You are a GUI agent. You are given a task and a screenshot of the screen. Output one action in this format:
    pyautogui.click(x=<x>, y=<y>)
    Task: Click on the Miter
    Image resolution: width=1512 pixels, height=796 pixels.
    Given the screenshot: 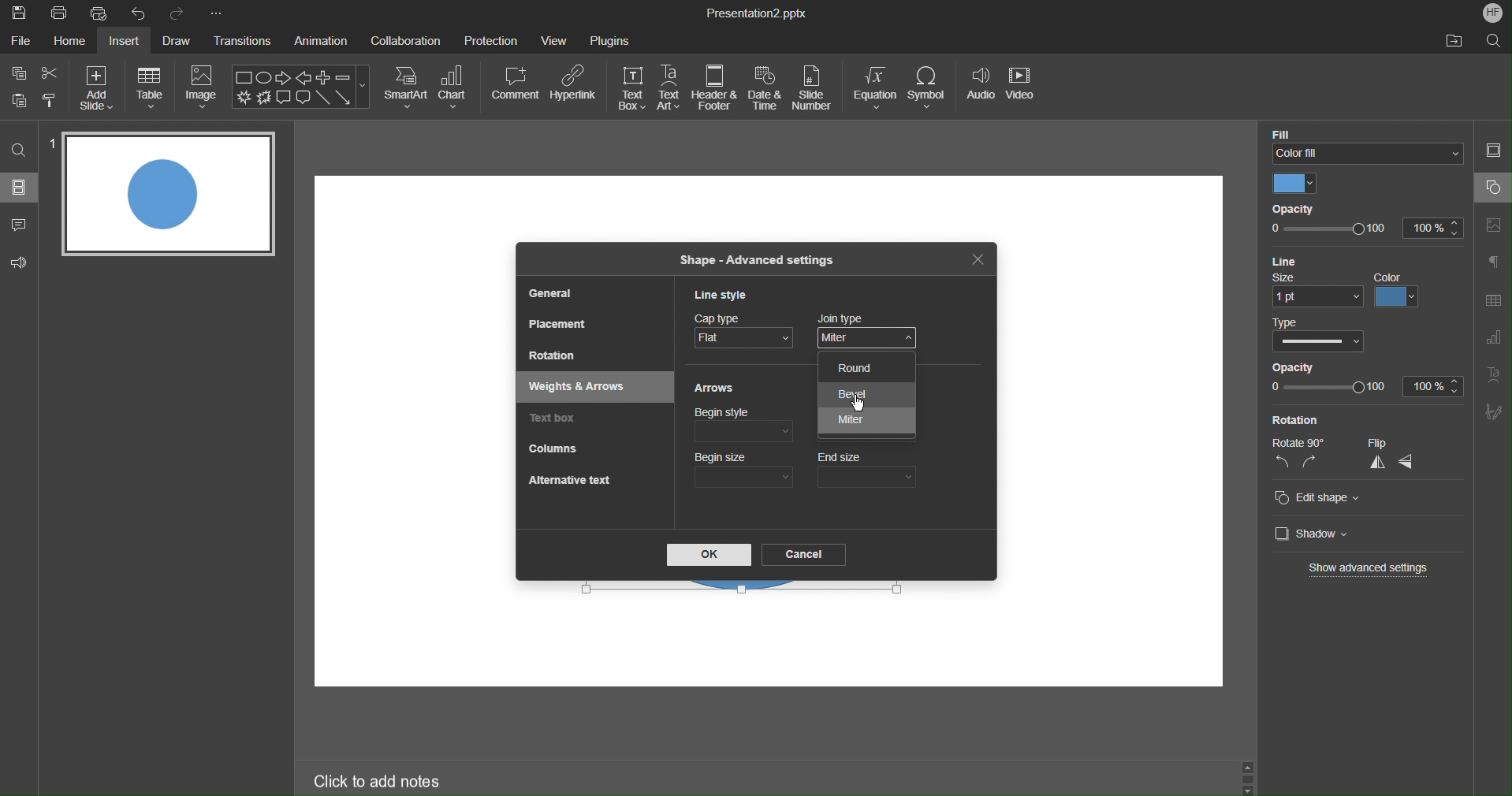 What is the action you would take?
    pyautogui.click(x=866, y=420)
    